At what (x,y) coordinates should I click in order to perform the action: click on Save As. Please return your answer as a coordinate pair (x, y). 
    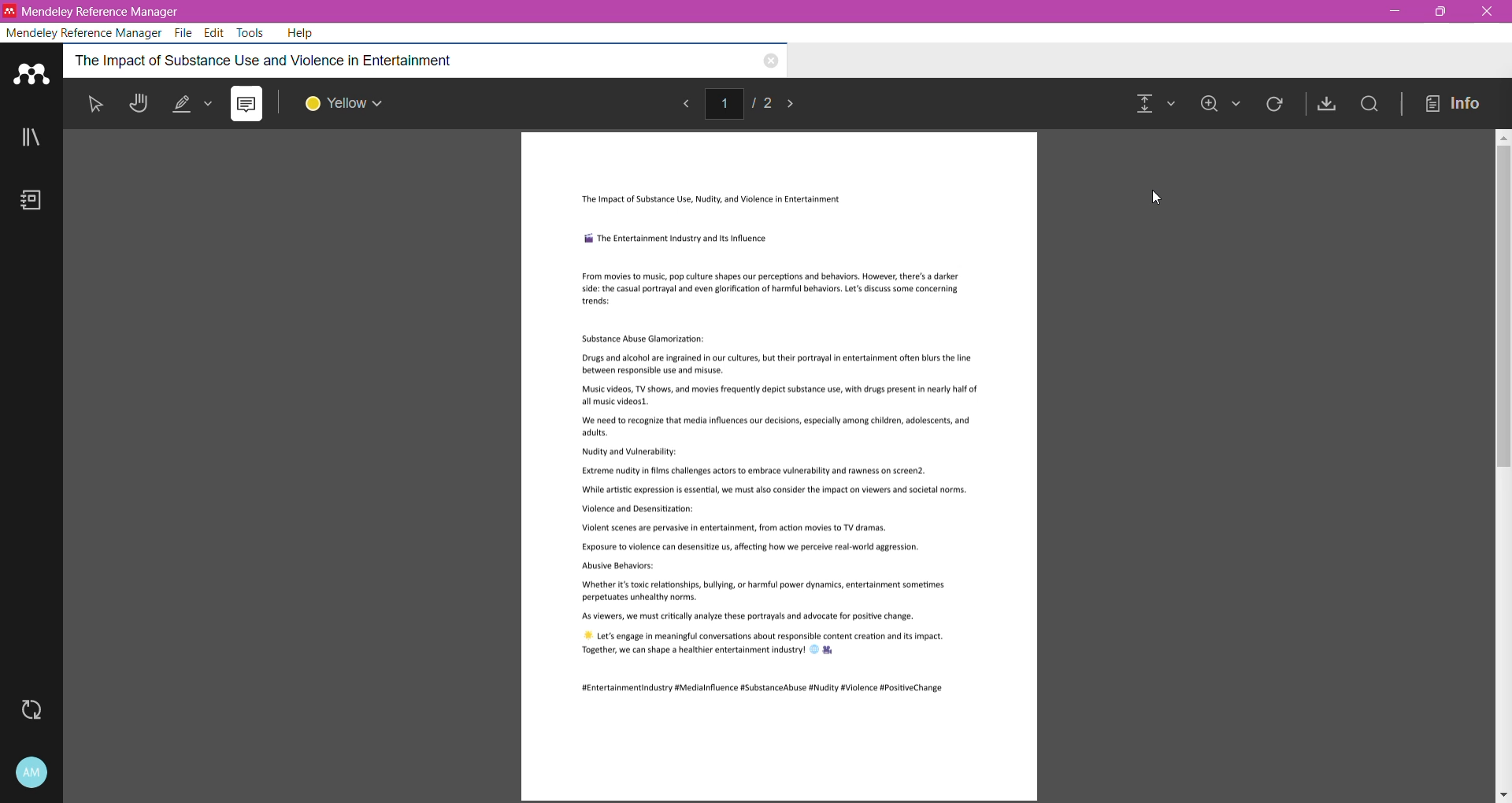
    Looking at the image, I should click on (1324, 103).